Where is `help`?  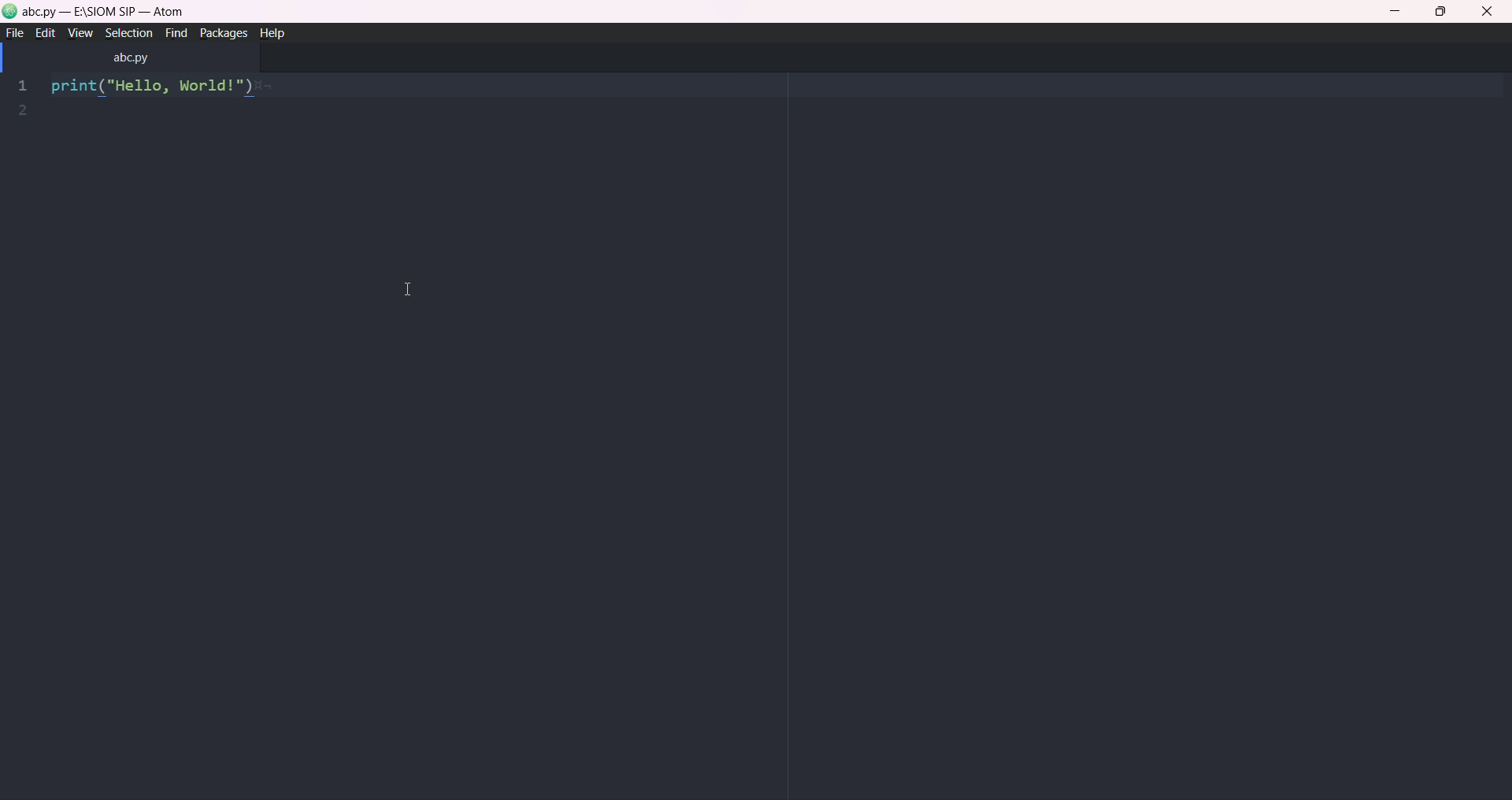 help is located at coordinates (271, 31).